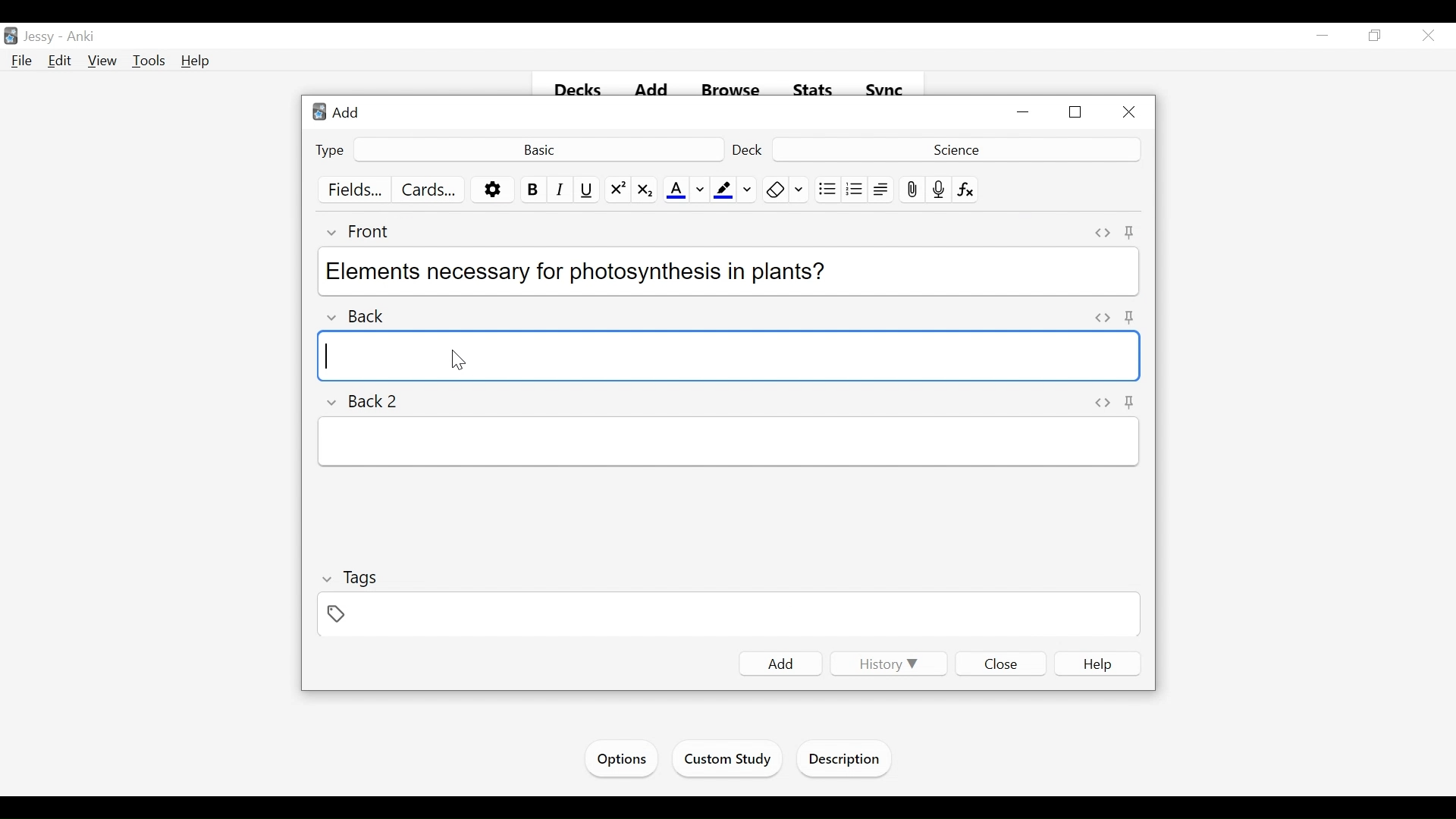  Describe the element at coordinates (81, 37) in the screenshot. I see `Anki` at that location.